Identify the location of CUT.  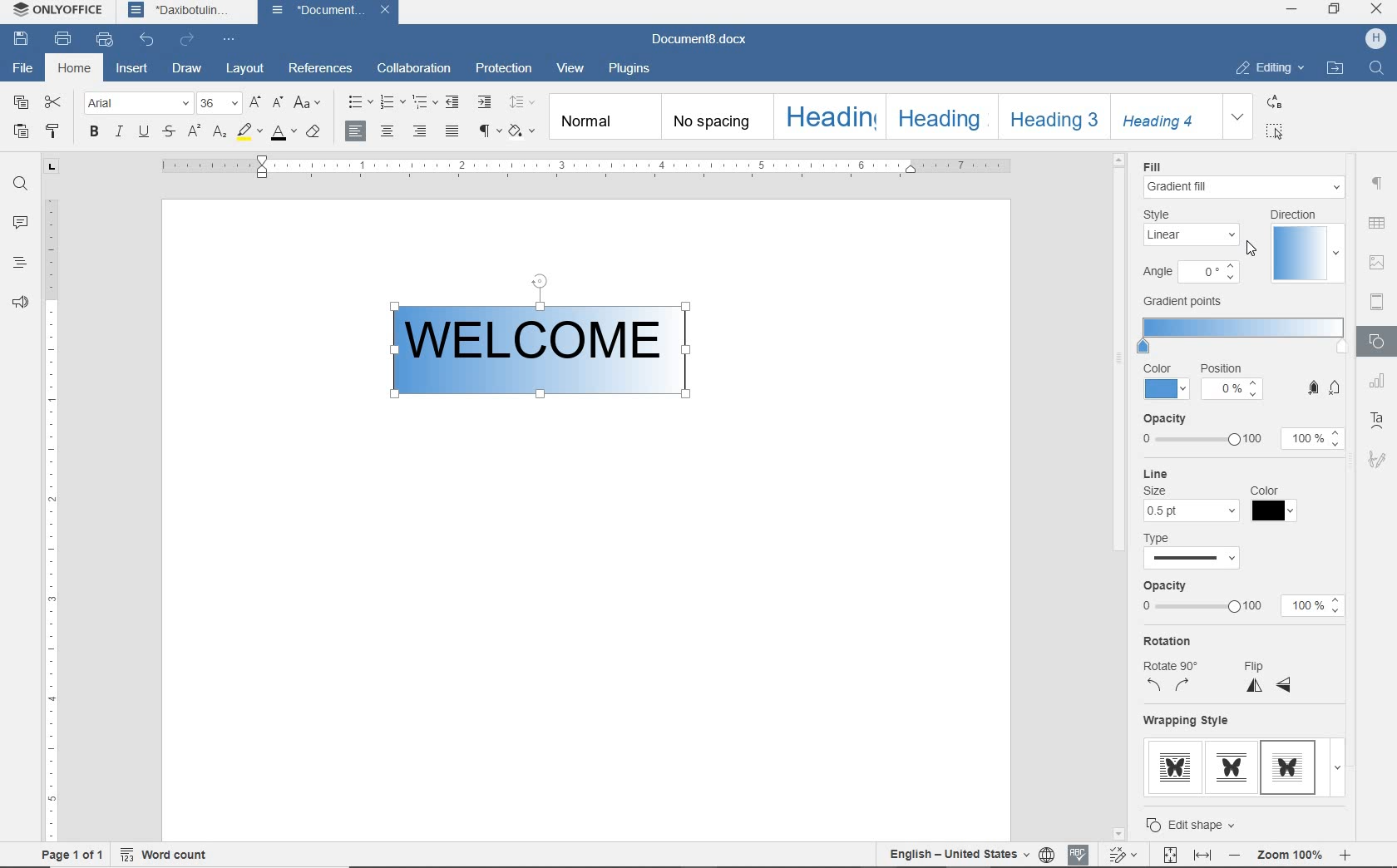
(55, 102).